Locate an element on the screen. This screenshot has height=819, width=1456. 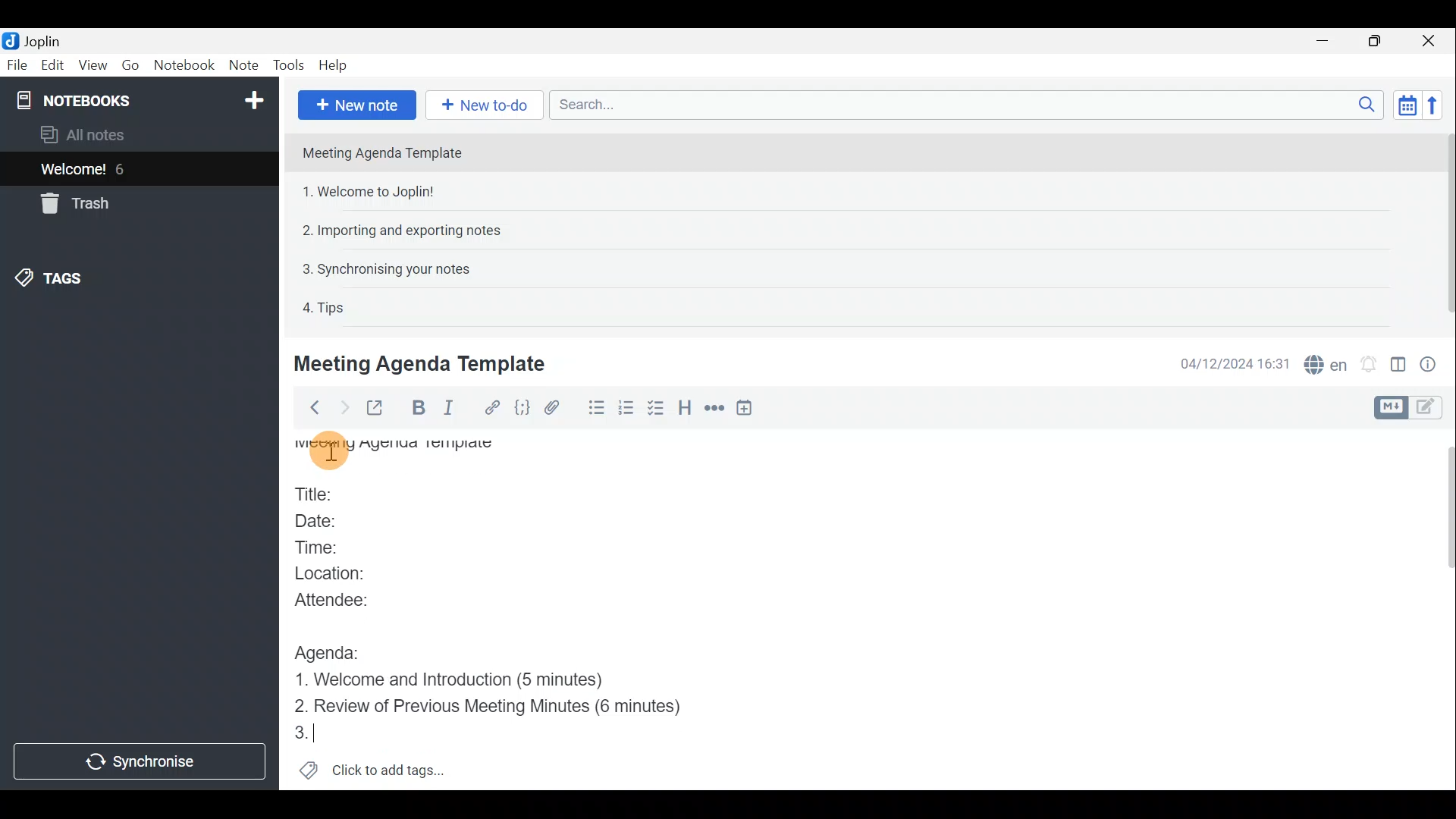
Forward is located at coordinates (342, 407).